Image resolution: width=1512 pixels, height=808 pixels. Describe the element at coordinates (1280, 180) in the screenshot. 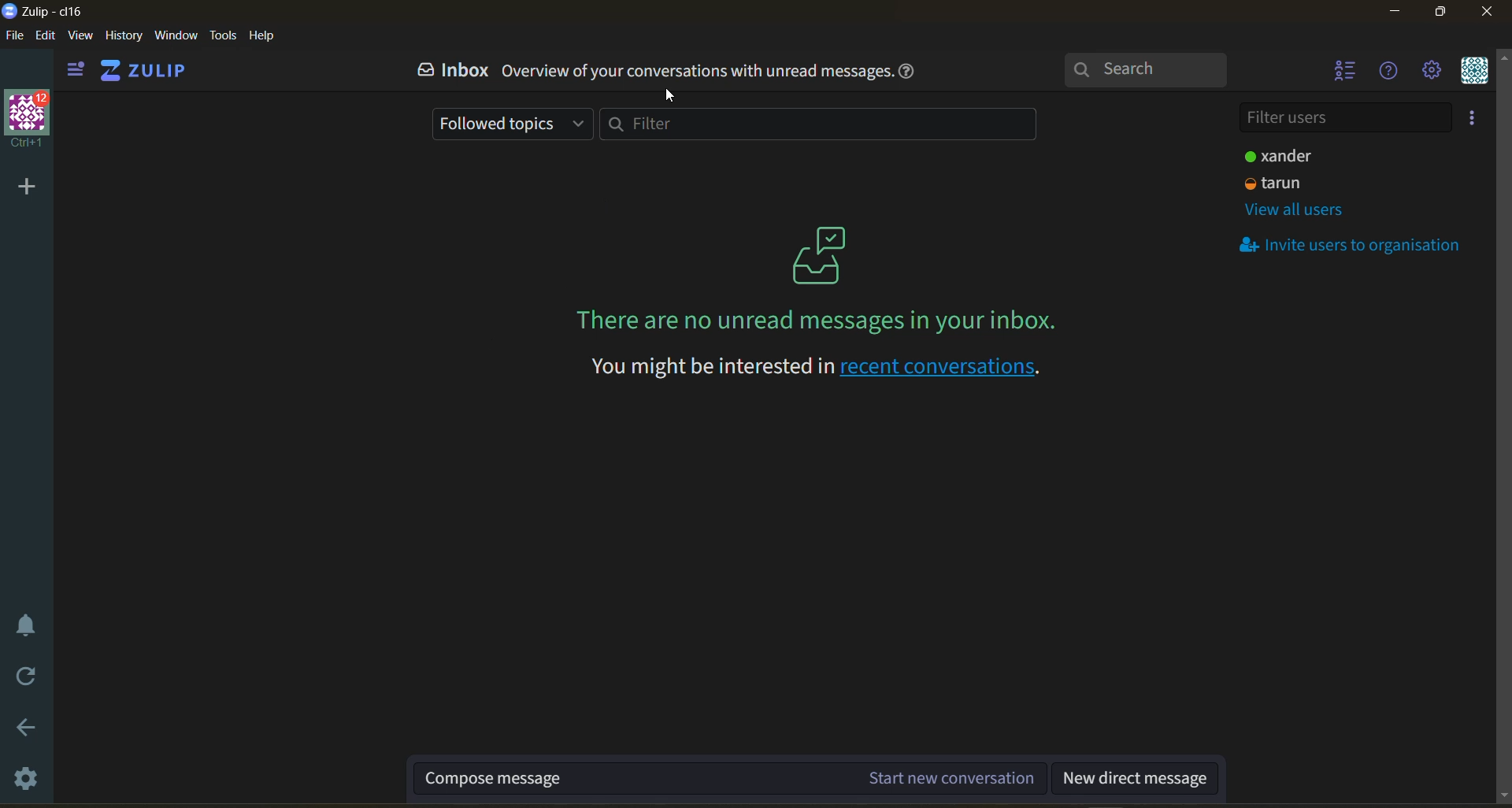

I see `user2` at that location.